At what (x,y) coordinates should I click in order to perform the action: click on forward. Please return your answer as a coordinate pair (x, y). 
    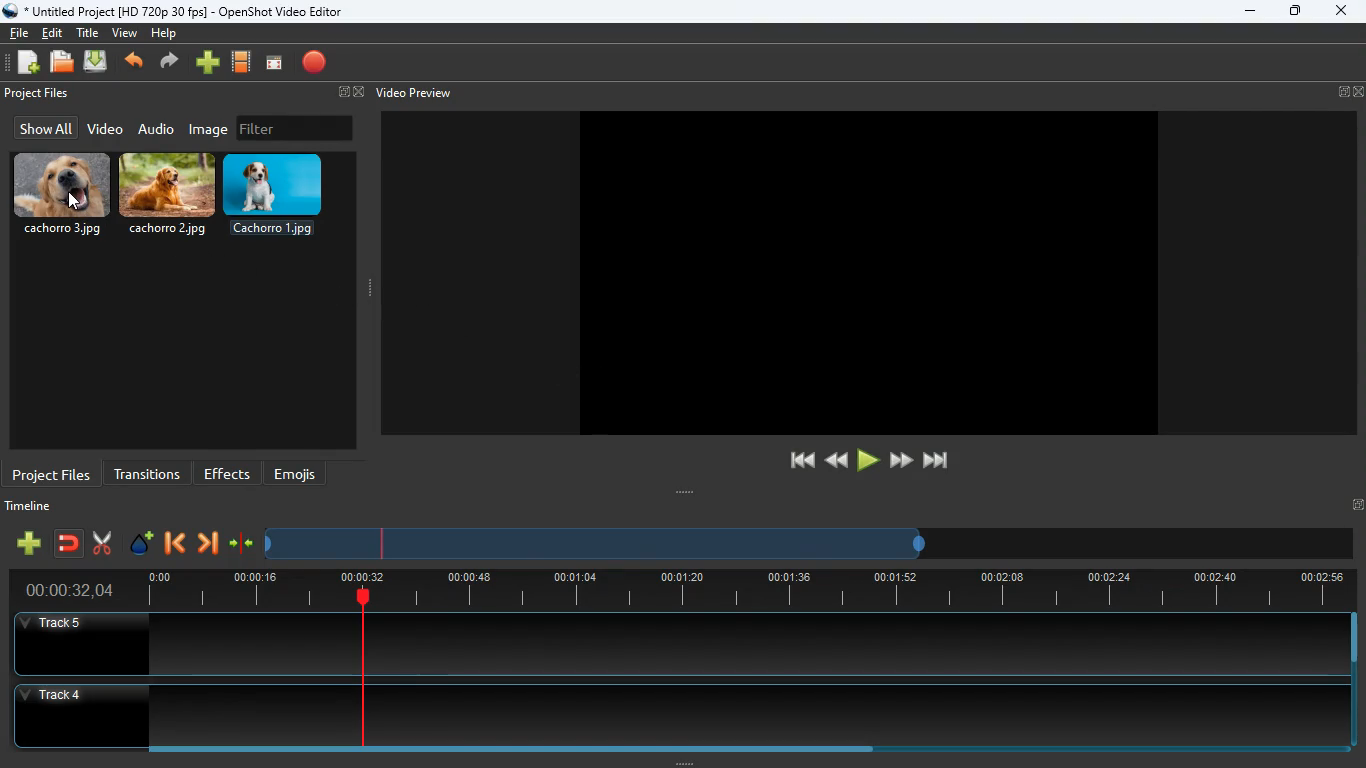
    Looking at the image, I should click on (901, 461).